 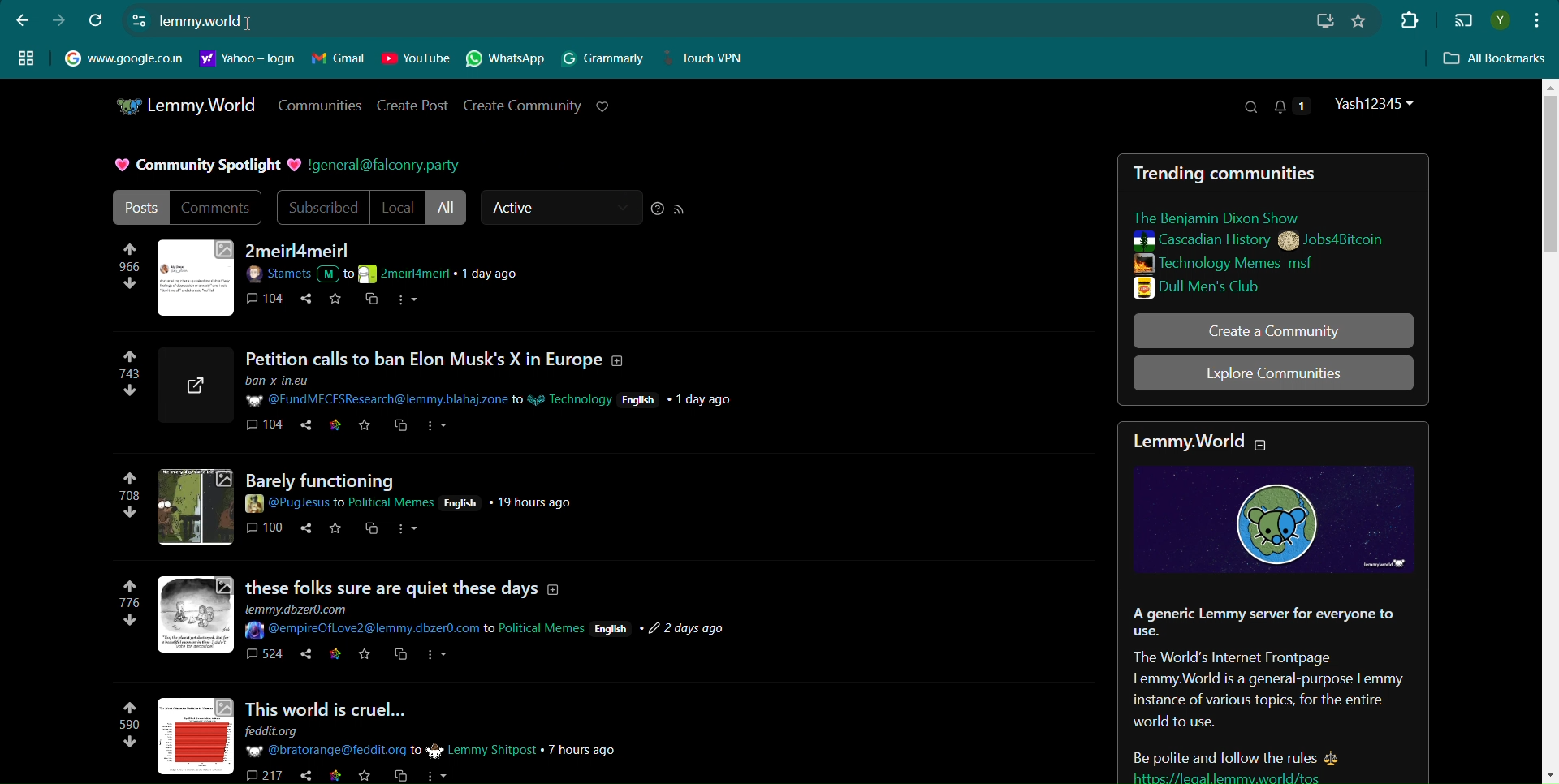 I want to click on DempireOfLove2@lemmy.dbzer0.com to Political Memes English + 2 2 days ago, so click(x=490, y=630).